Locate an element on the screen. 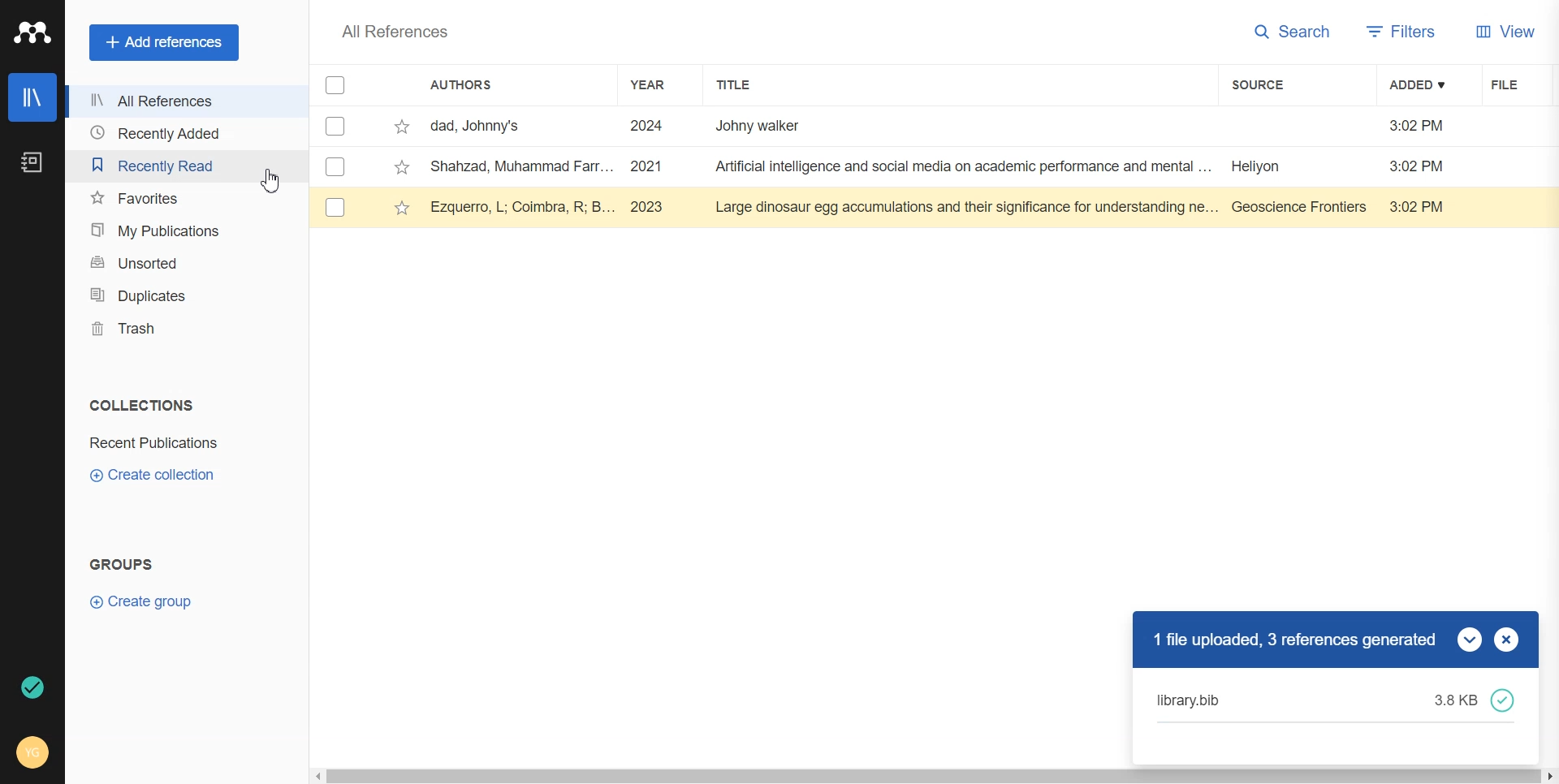  1 file uploaded, 3 references generated is located at coordinates (1290, 641).